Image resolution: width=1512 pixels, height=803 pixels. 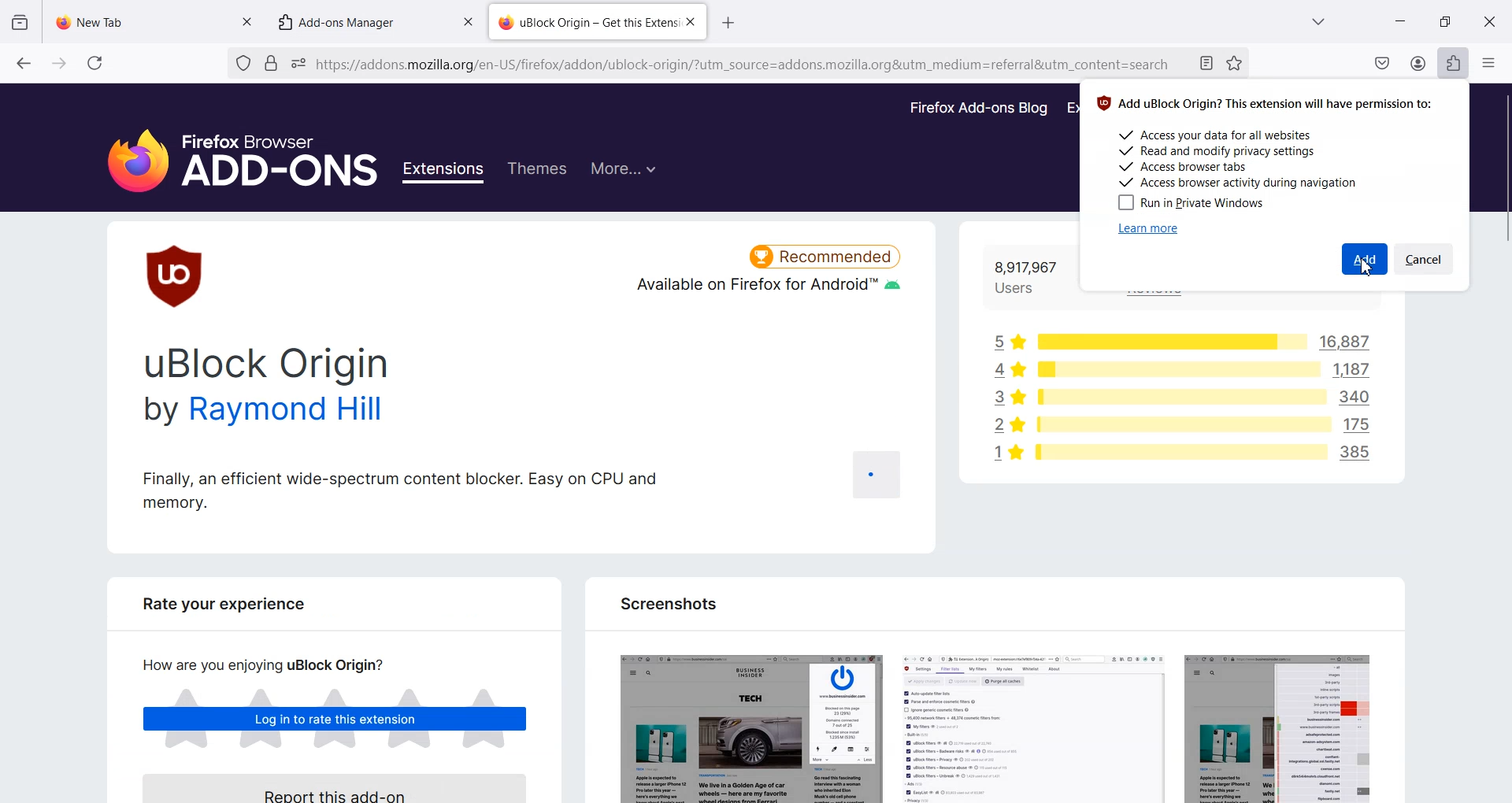 I want to click on More, so click(x=623, y=167).